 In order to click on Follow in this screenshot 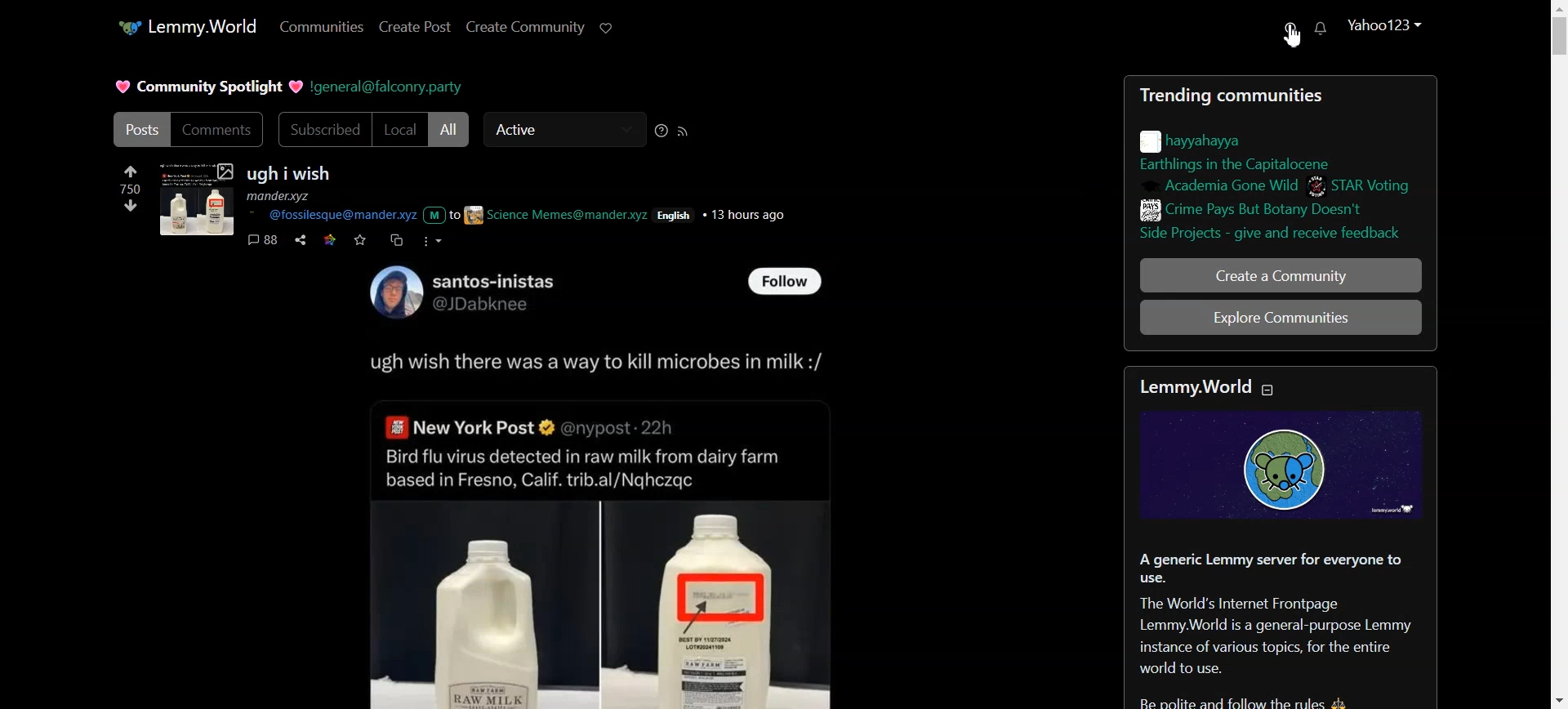, I will do `click(785, 283)`.